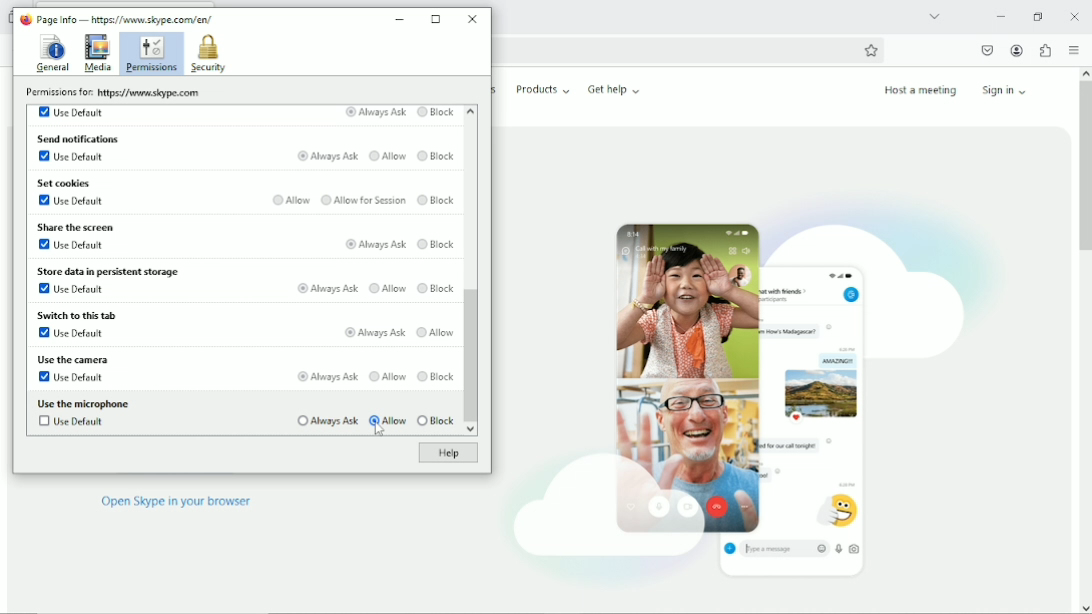 Image resolution: width=1092 pixels, height=614 pixels. I want to click on Sign in, so click(1008, 89).